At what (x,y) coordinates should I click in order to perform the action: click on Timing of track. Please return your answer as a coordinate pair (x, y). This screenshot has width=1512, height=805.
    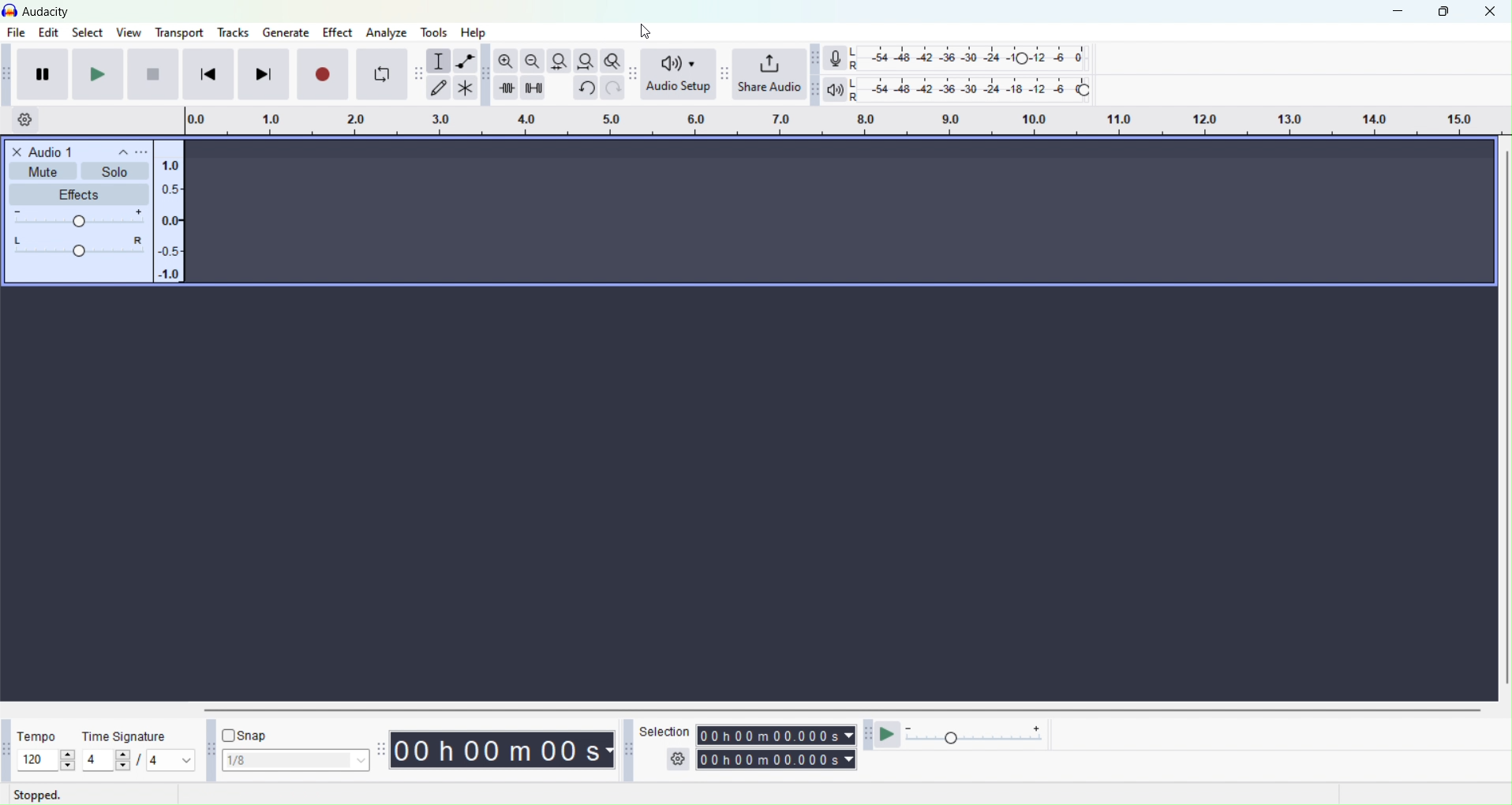
    Looking at the image, I should click on (776, 734).